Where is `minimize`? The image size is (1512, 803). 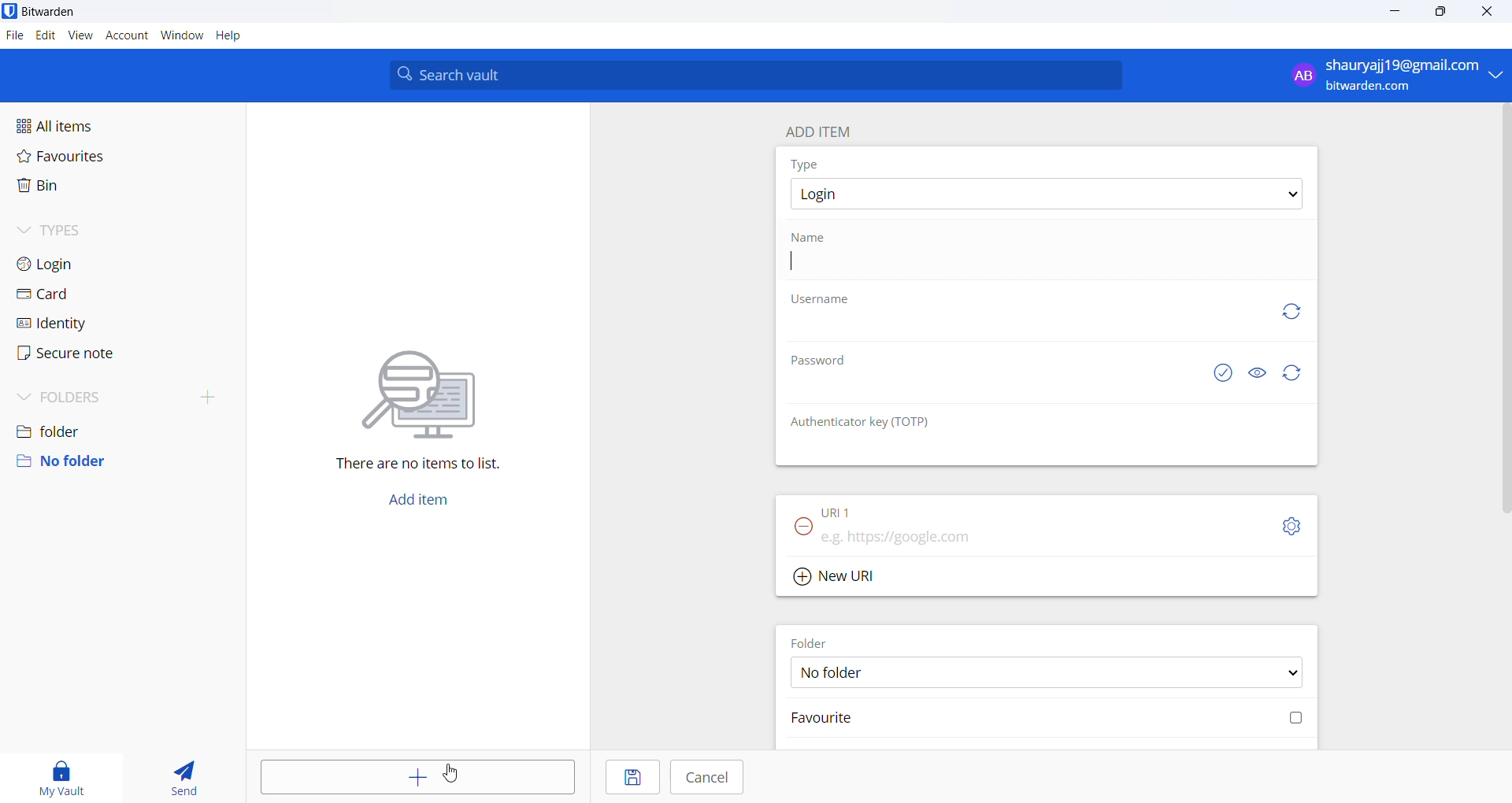 minimize is located at coordinates (1396, 12).